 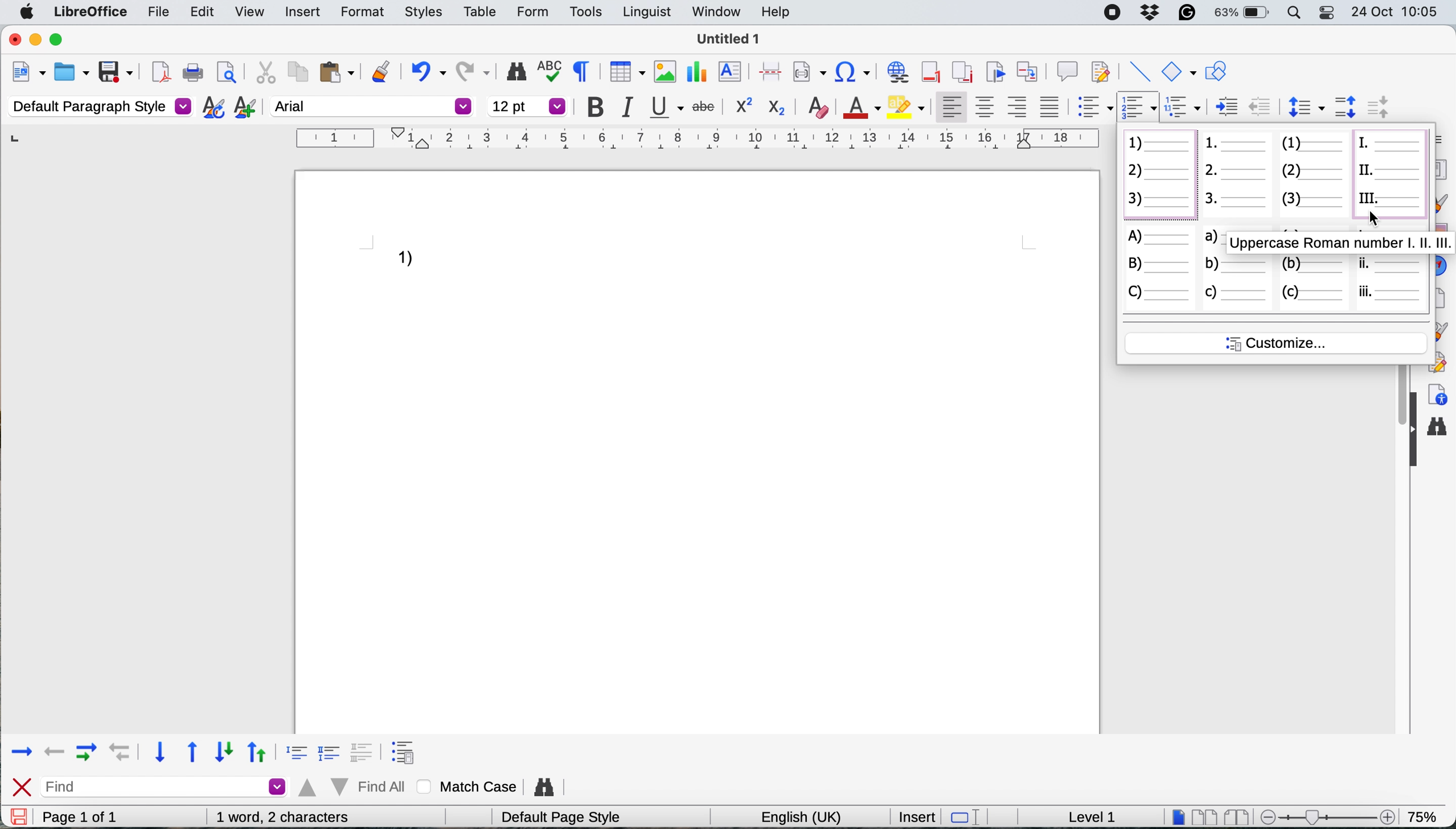 What do you see at coordinates (407, 746) in the screenshot?
I see `format 4` at bounding box center [407, 746].